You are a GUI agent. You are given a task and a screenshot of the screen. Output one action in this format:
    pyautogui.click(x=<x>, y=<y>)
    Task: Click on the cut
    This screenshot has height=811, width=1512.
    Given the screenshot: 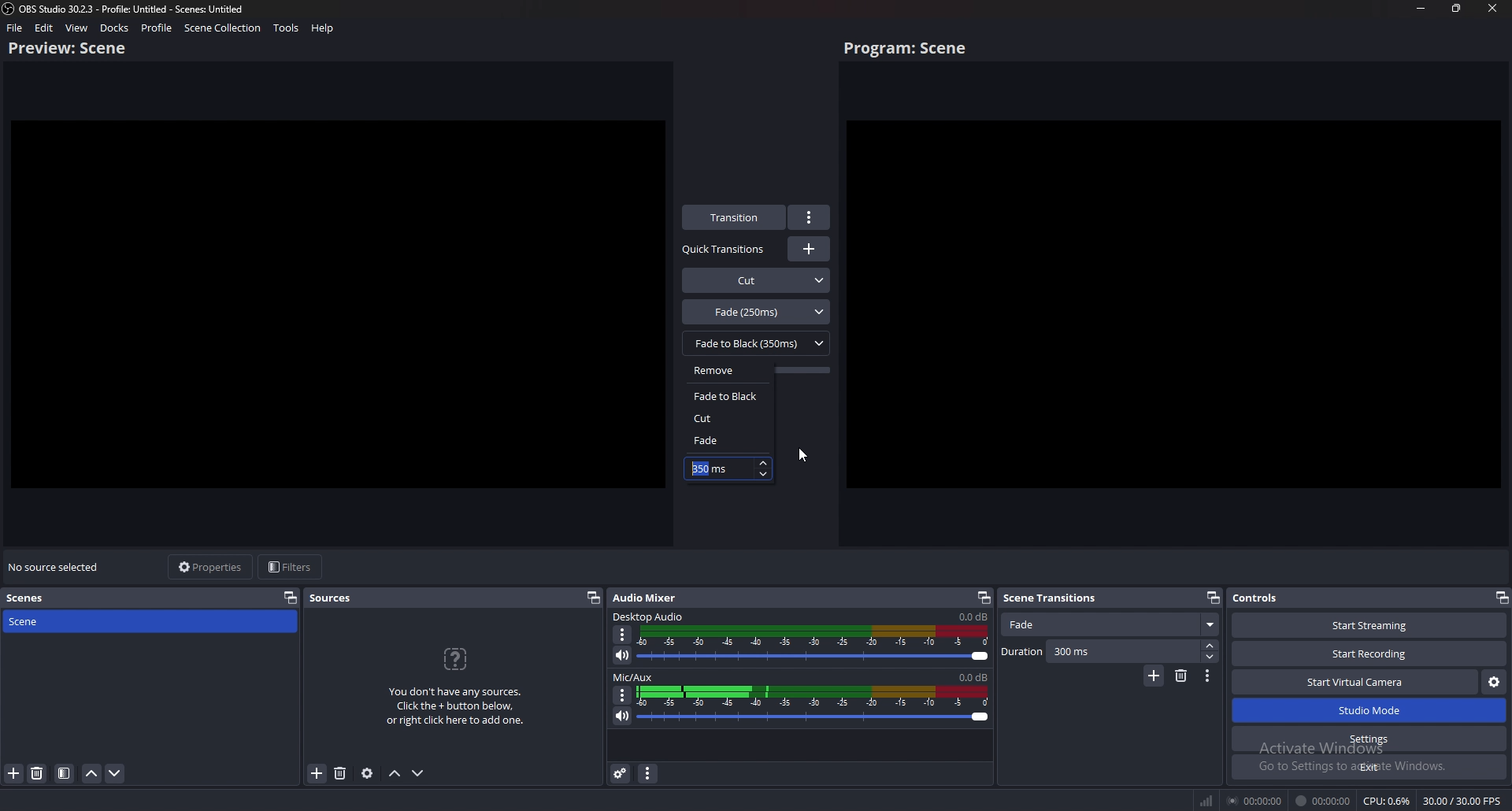 What is the action you would take?
    pyautogui.click(x=725, y=418)
    